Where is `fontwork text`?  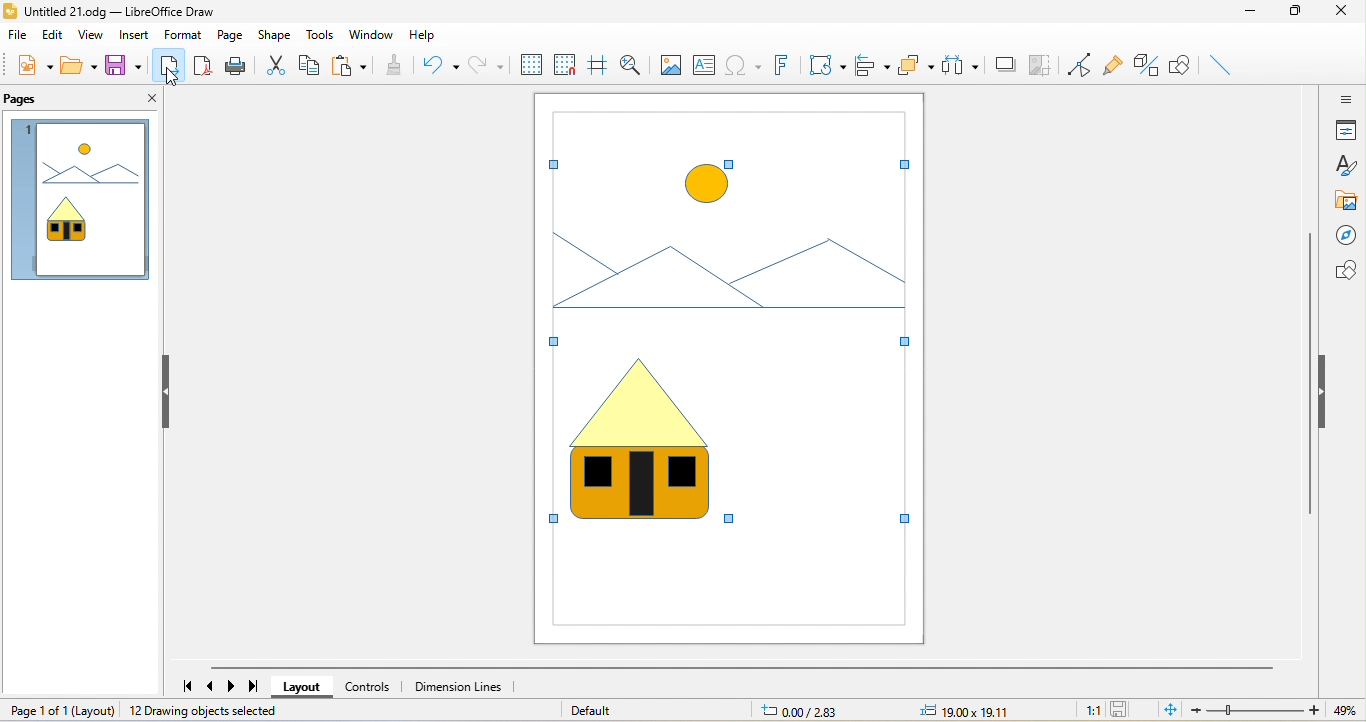
fontwork text is located at coordinates (779, 64).